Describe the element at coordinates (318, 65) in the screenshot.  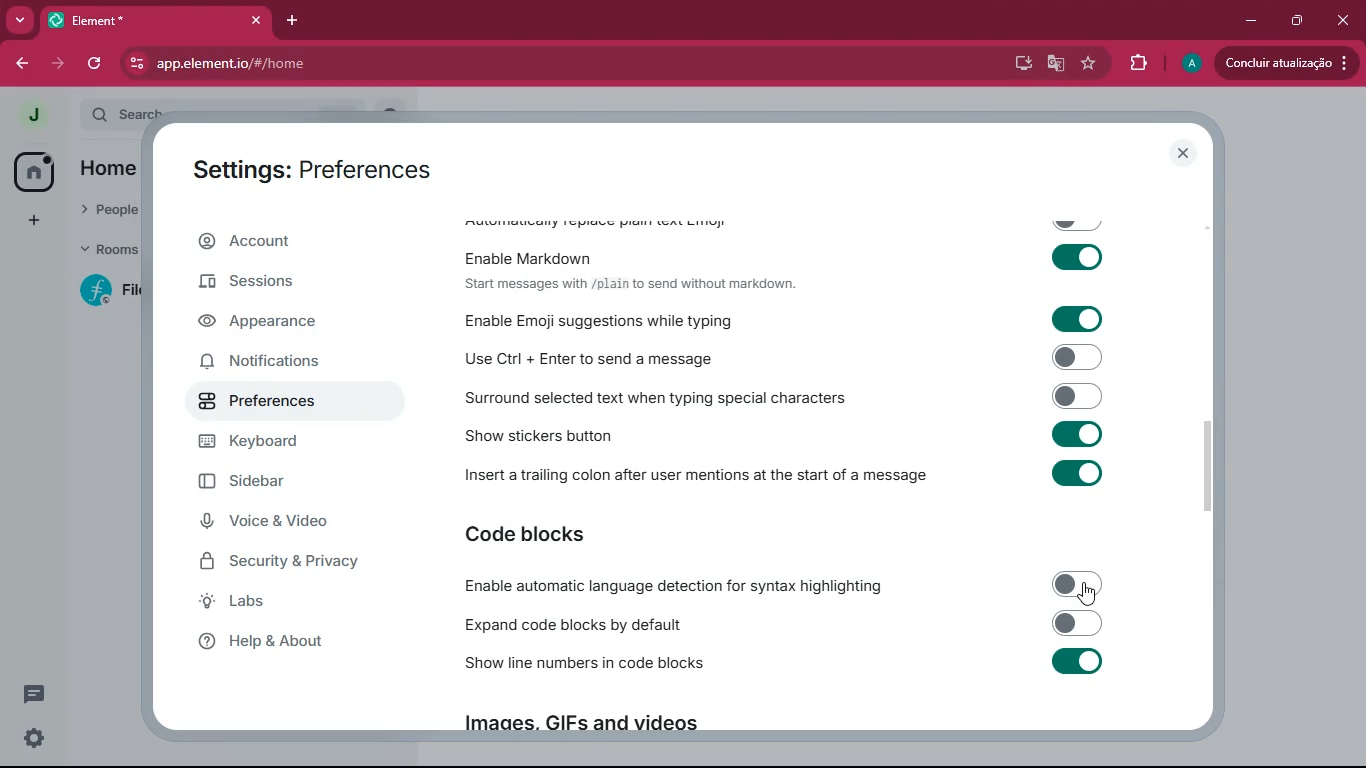
I see `app.element.io/#/home` at that location.